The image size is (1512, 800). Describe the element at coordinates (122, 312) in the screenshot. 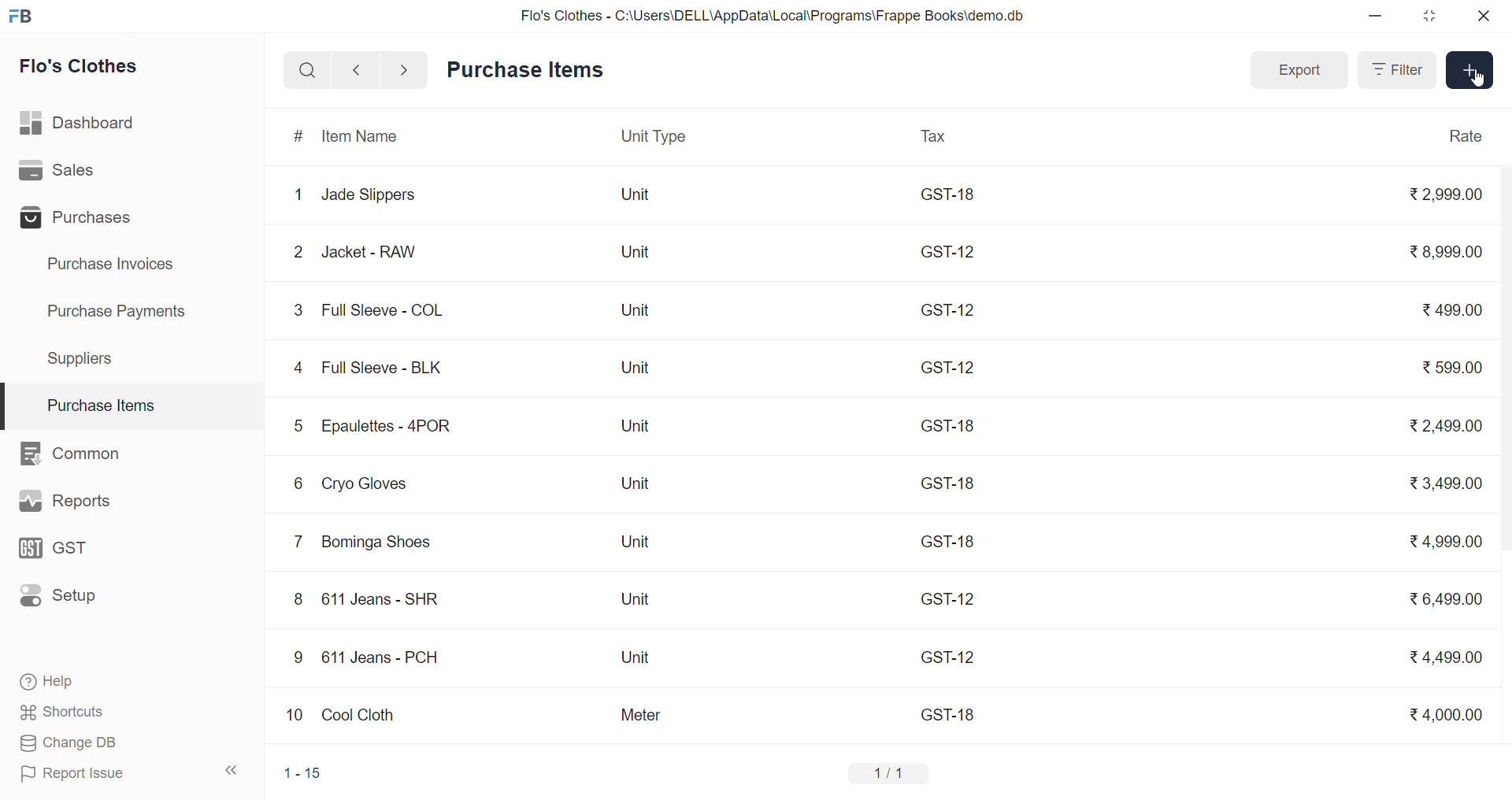

I see `Purchase Payments` at that location.